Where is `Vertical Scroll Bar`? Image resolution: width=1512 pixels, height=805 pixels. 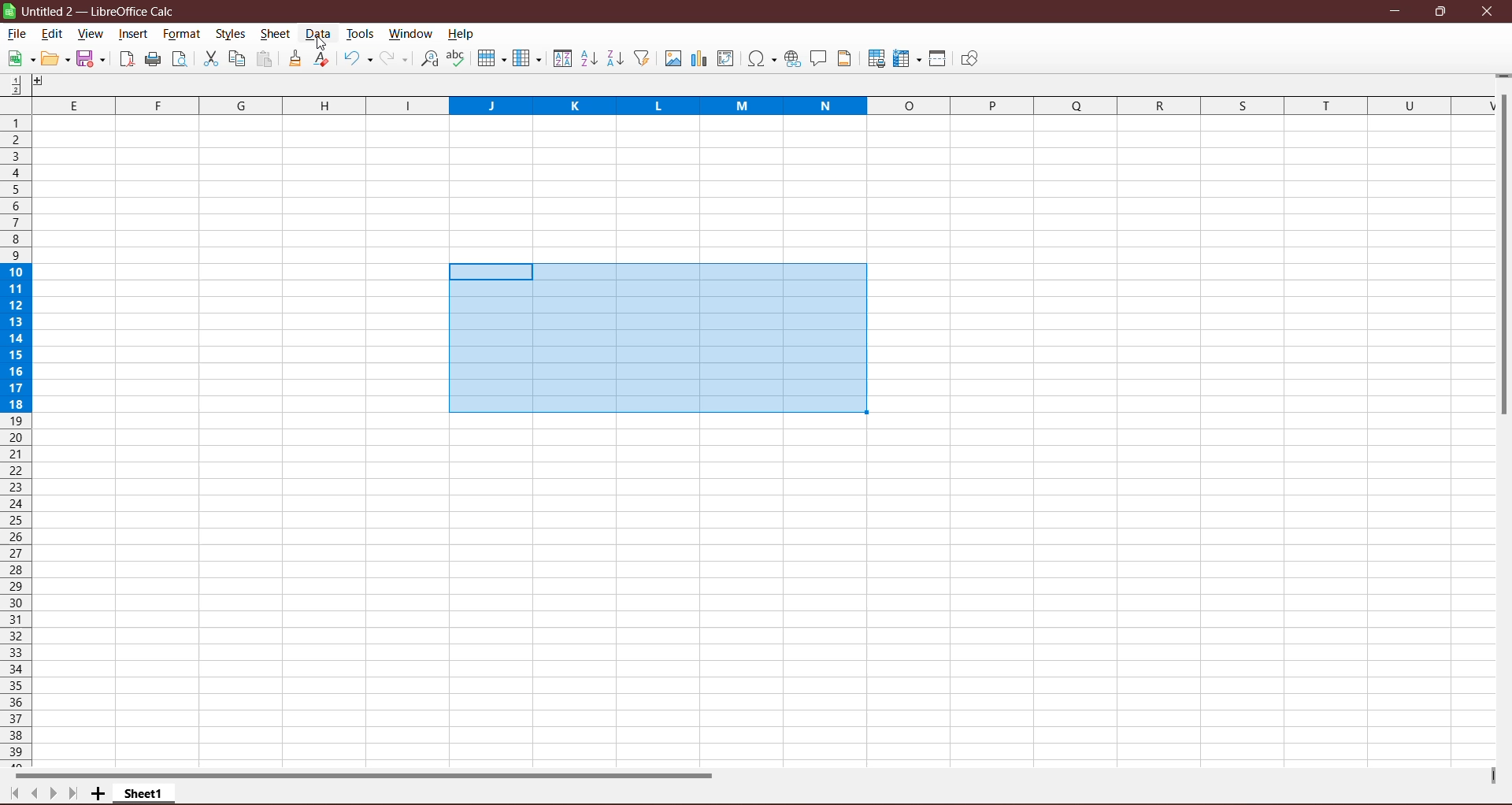 Vertical Scroll Bar is located at coordinates (1503, 258).